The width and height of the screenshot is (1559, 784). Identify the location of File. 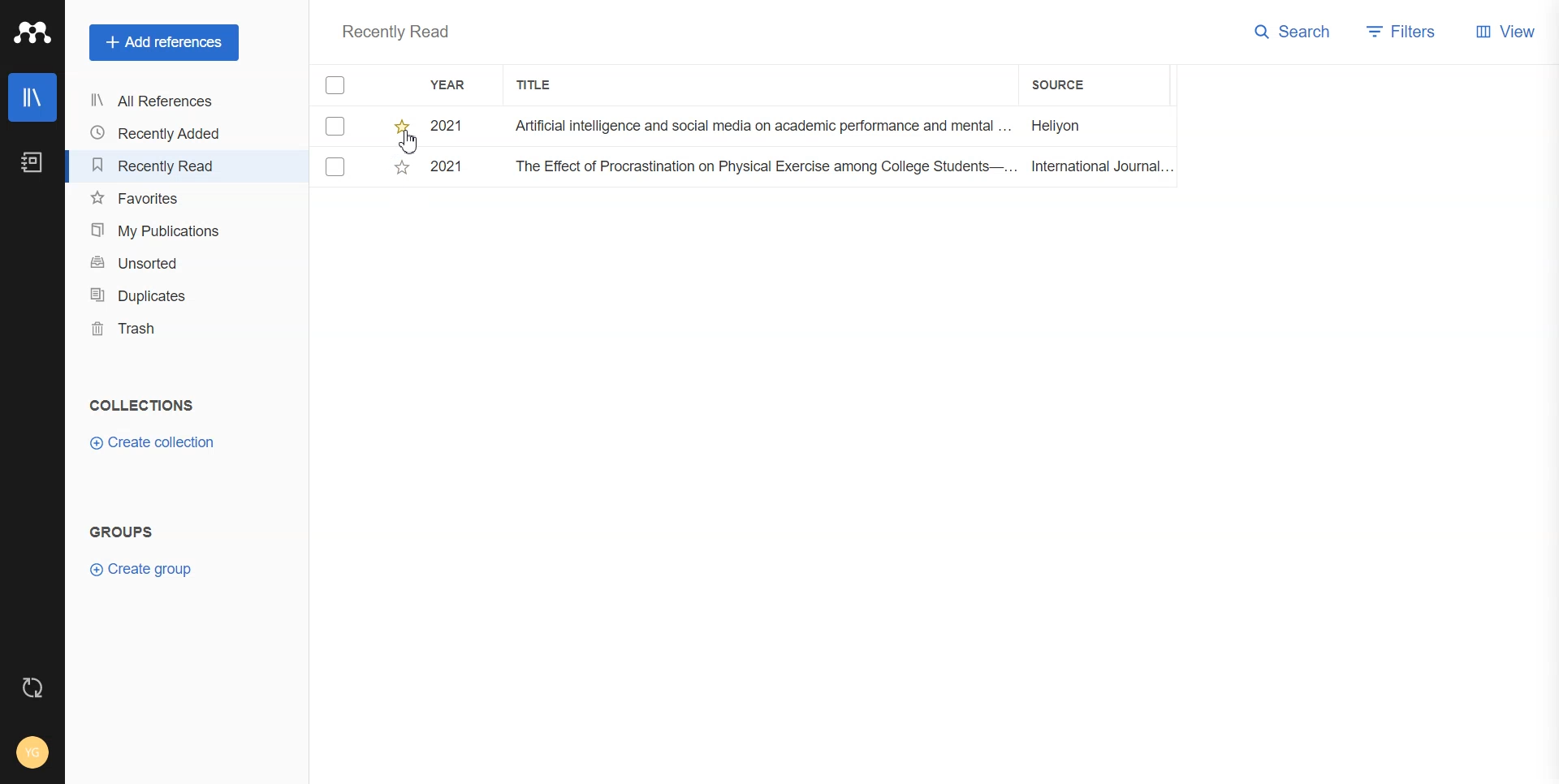
(743, 170).